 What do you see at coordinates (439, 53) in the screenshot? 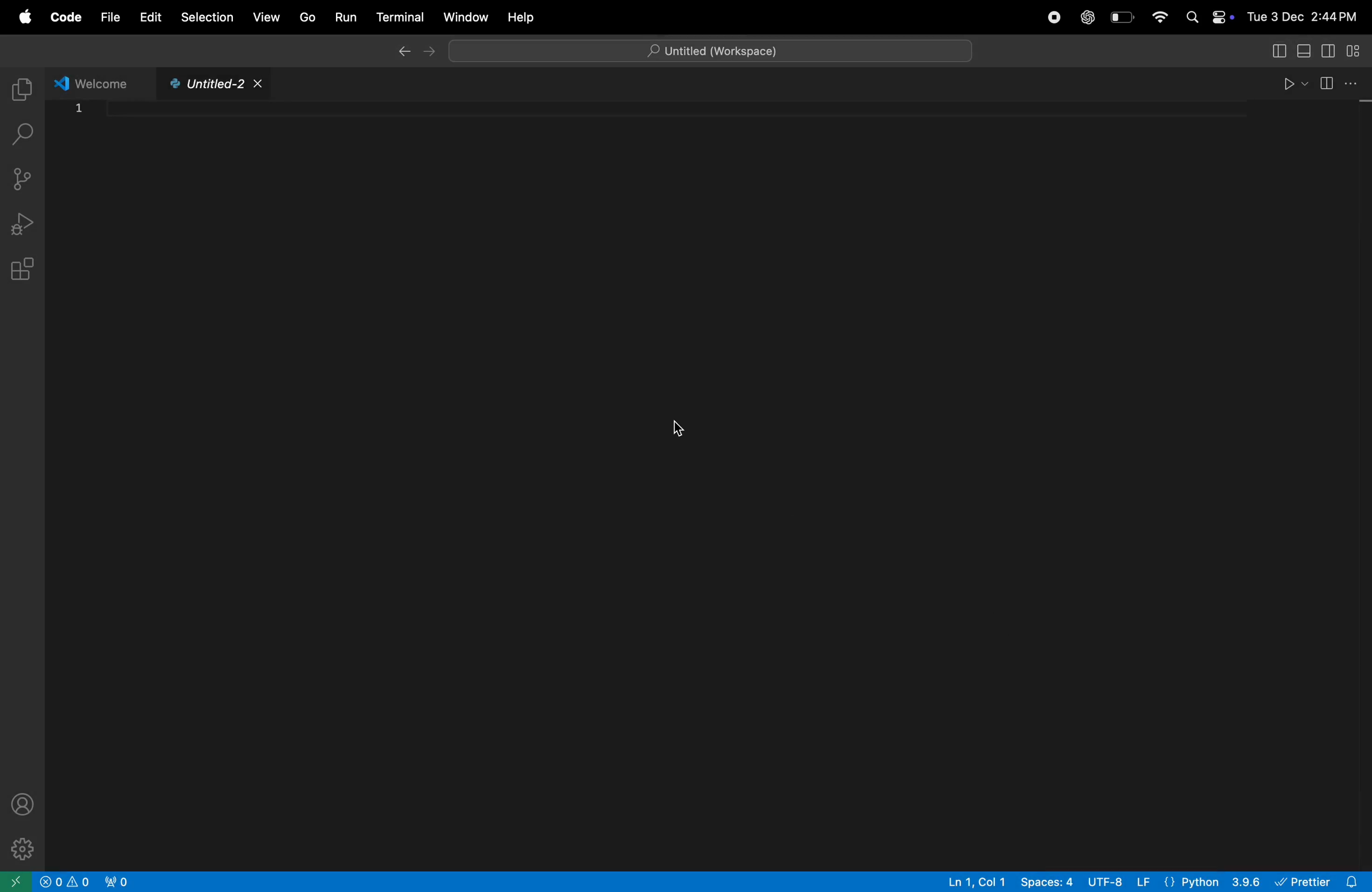
I see `forward` at bounding box center [439, 53].